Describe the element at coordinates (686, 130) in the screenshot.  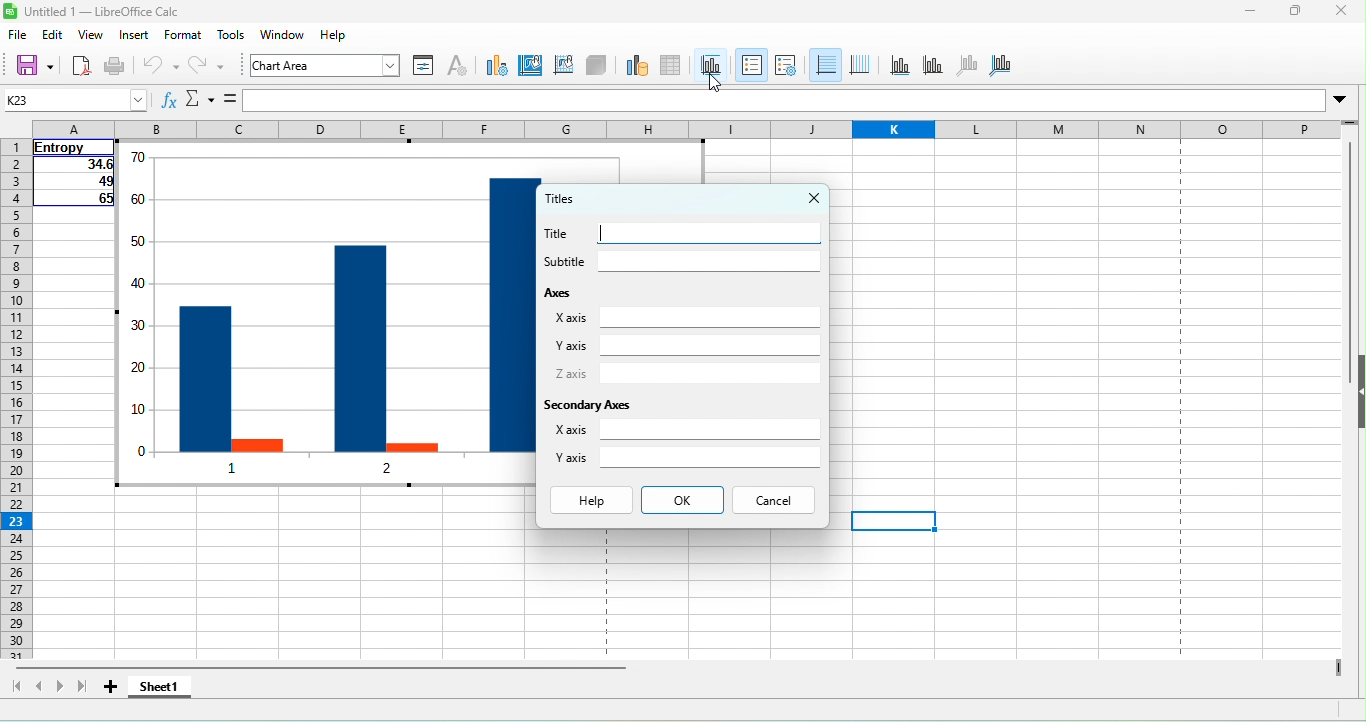
I see `column headings` at that location.